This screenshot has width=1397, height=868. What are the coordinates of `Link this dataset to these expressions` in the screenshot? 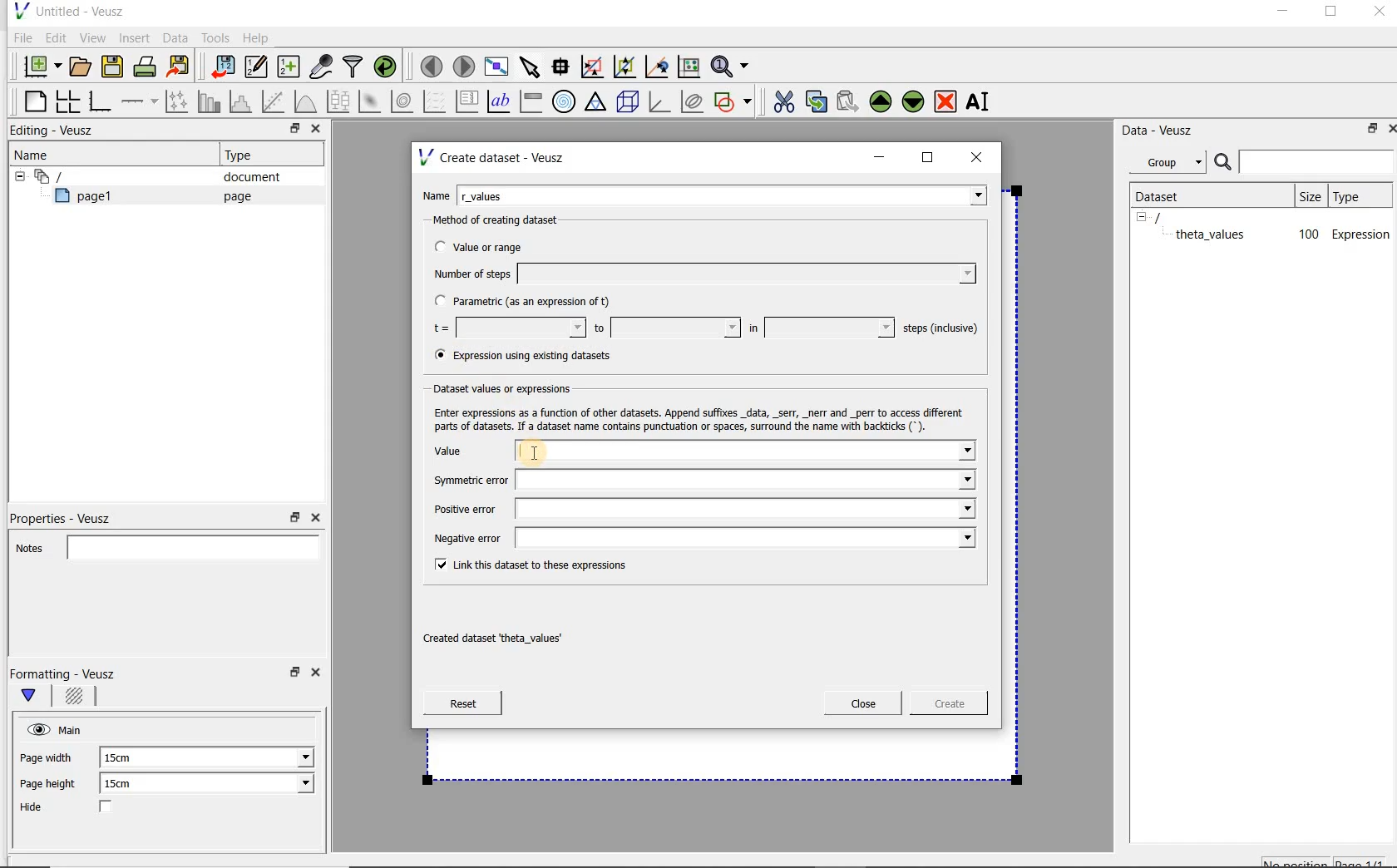 It's located at (527, 564).